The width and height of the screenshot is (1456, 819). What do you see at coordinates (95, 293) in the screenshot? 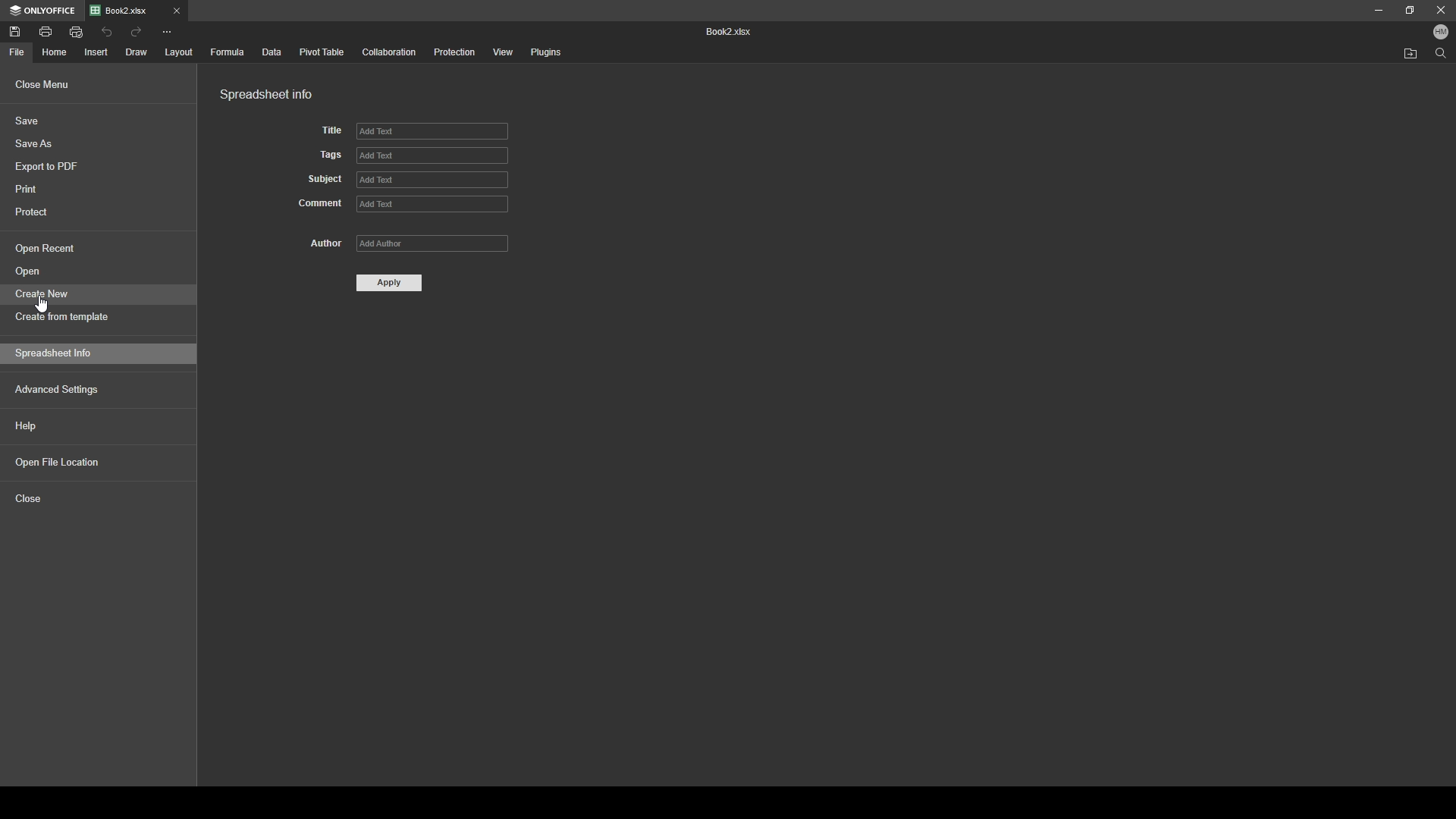
I see `create new` at bounding box center [95, 293].